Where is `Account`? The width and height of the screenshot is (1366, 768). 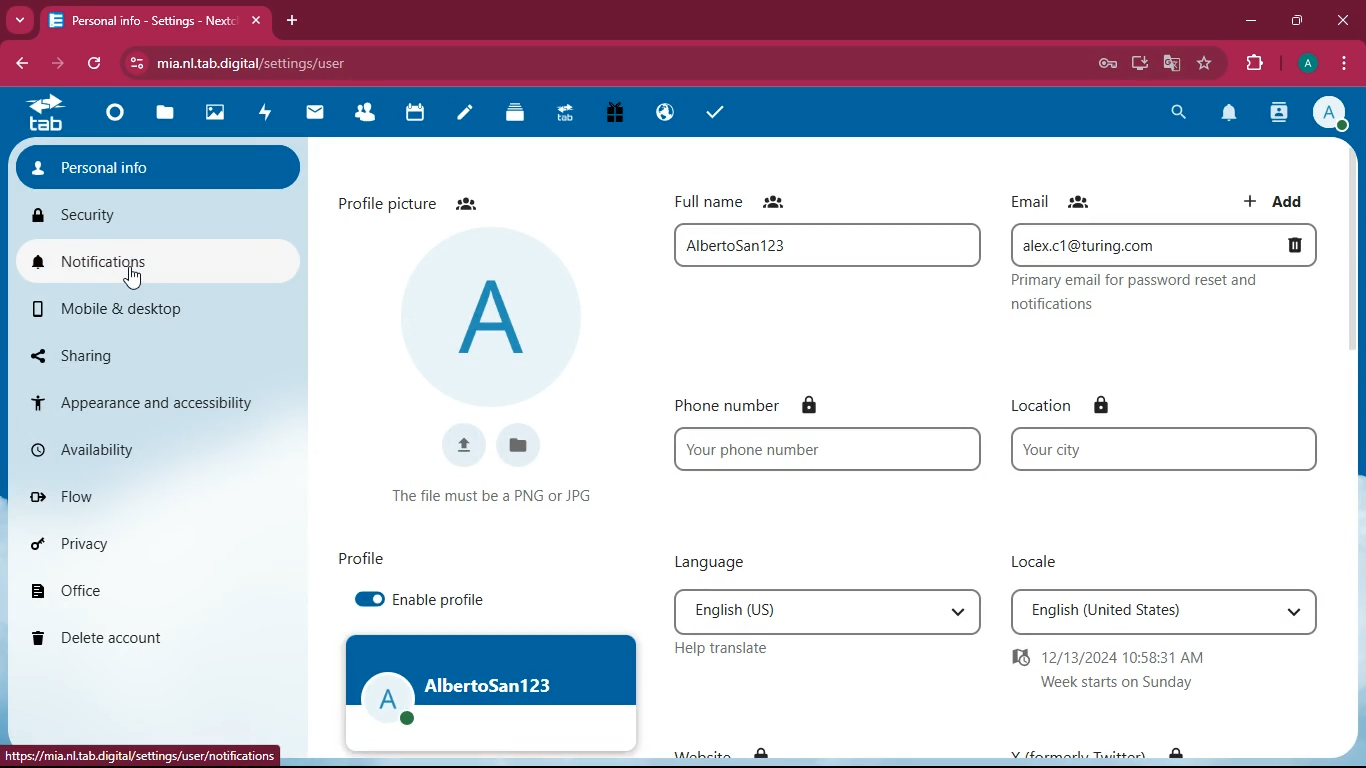
Account is located at coordinates (1305, 61).